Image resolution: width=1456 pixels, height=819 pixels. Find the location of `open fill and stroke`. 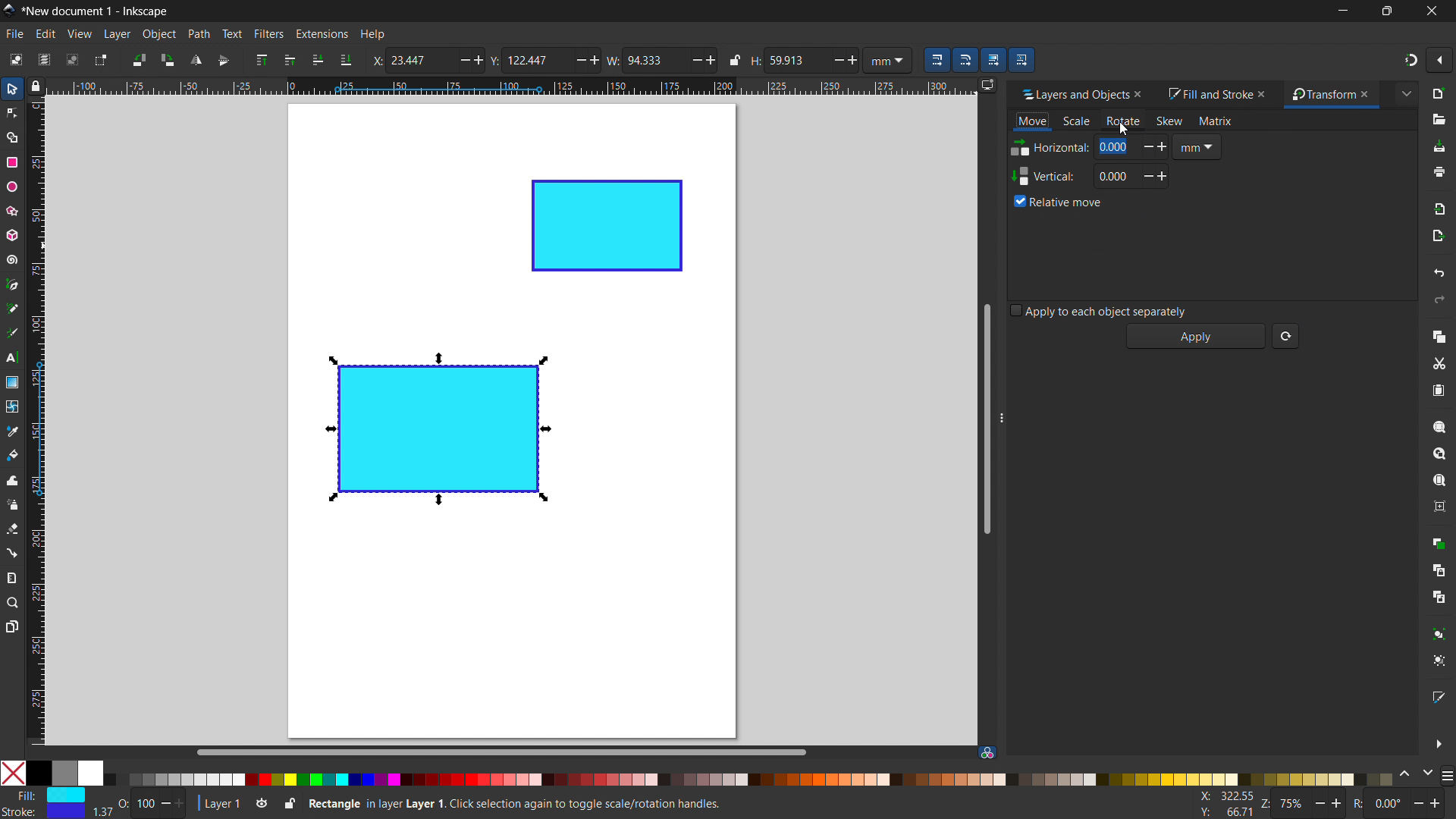

open fill and stroke is located at coordinates (1440, 696).